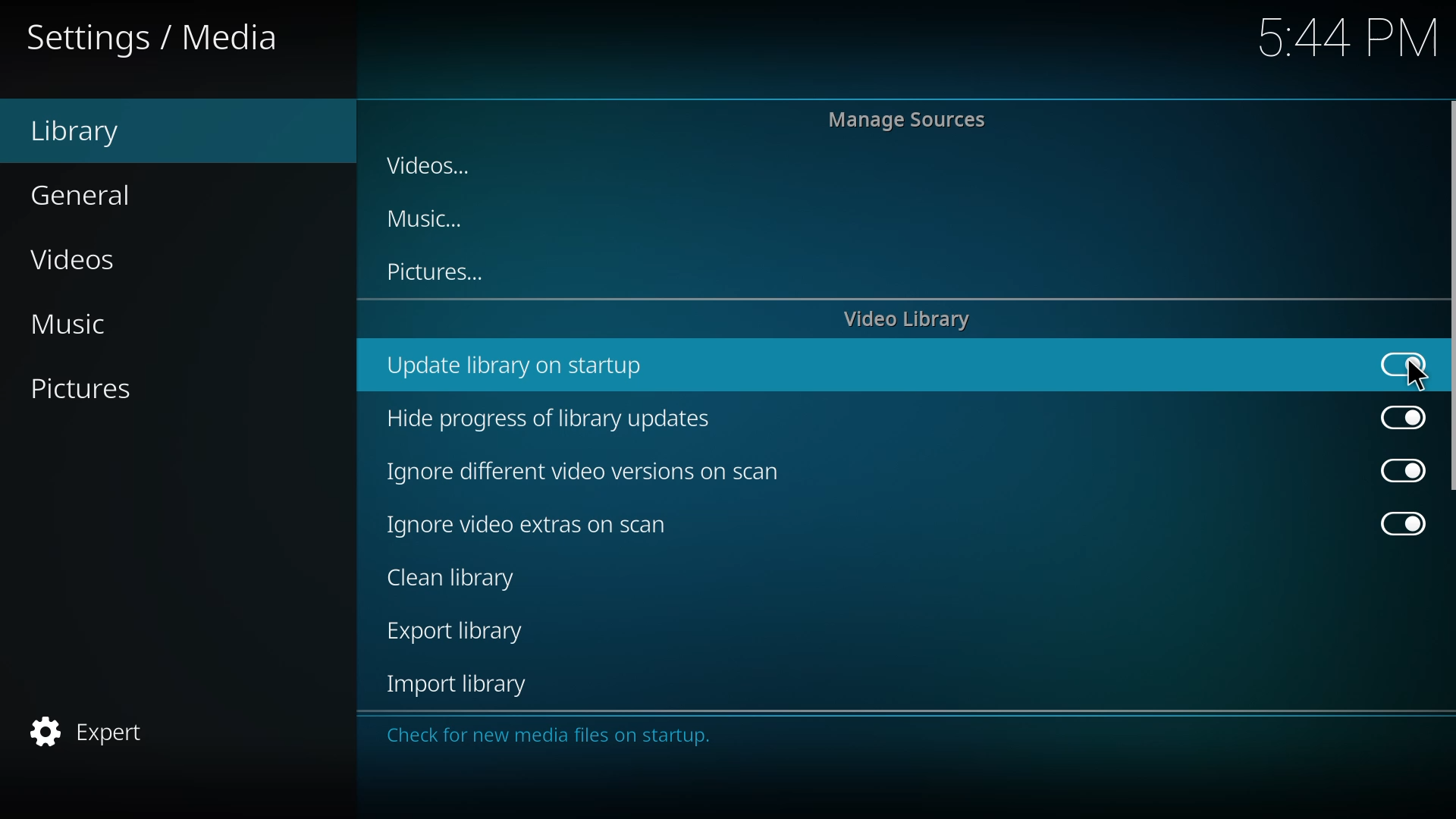  Describe the element at coordinates (1417, 367) in the screenshot. I see `cursor` at that location.